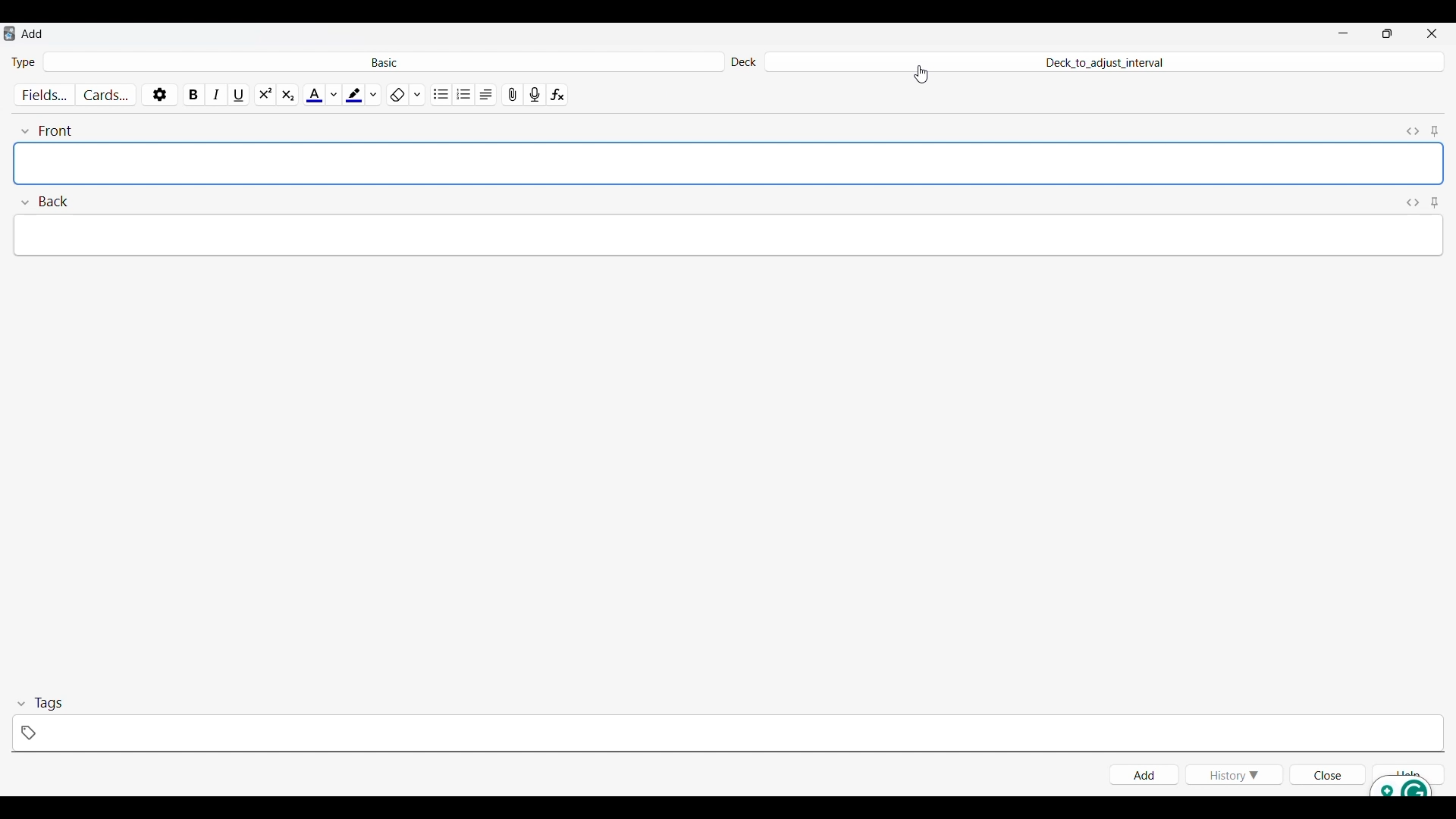 The image size is (1456, 819). I want to click on Window name, so click(33, 33).